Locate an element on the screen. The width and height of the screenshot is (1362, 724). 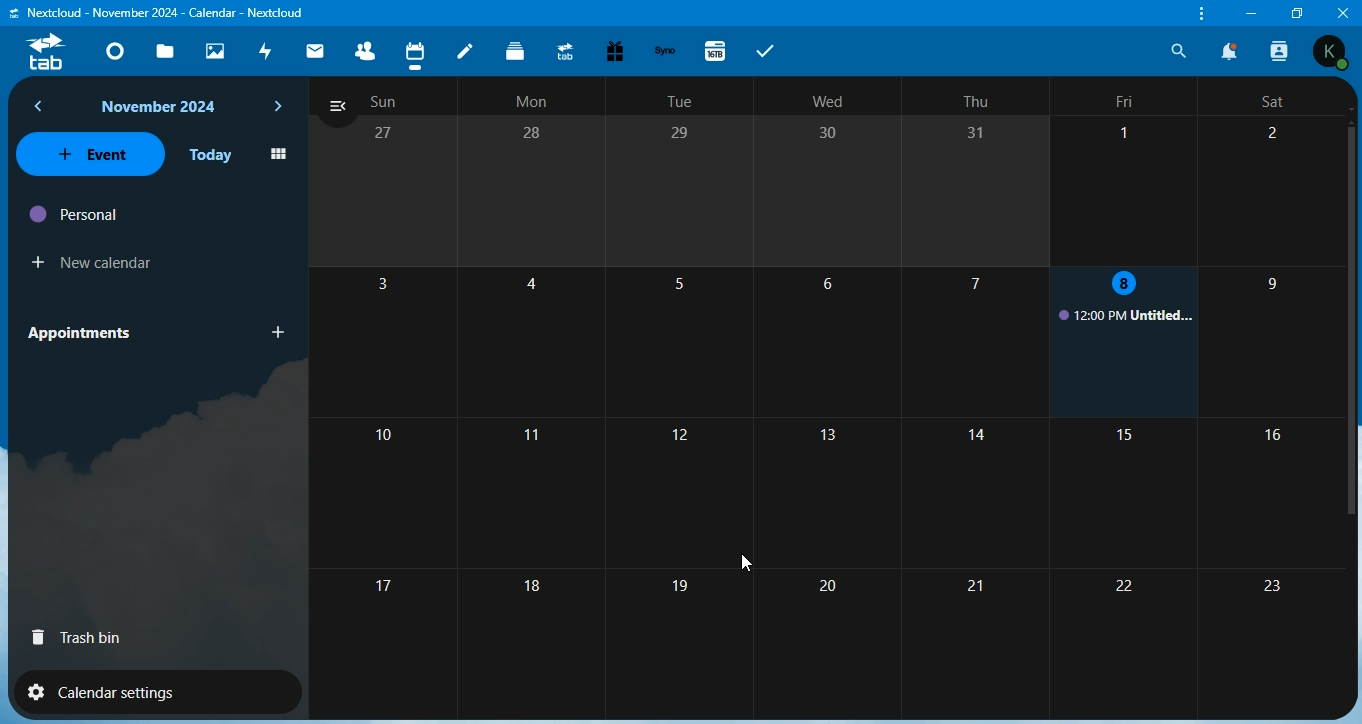
dashboard is located at coordinates (113, 47).